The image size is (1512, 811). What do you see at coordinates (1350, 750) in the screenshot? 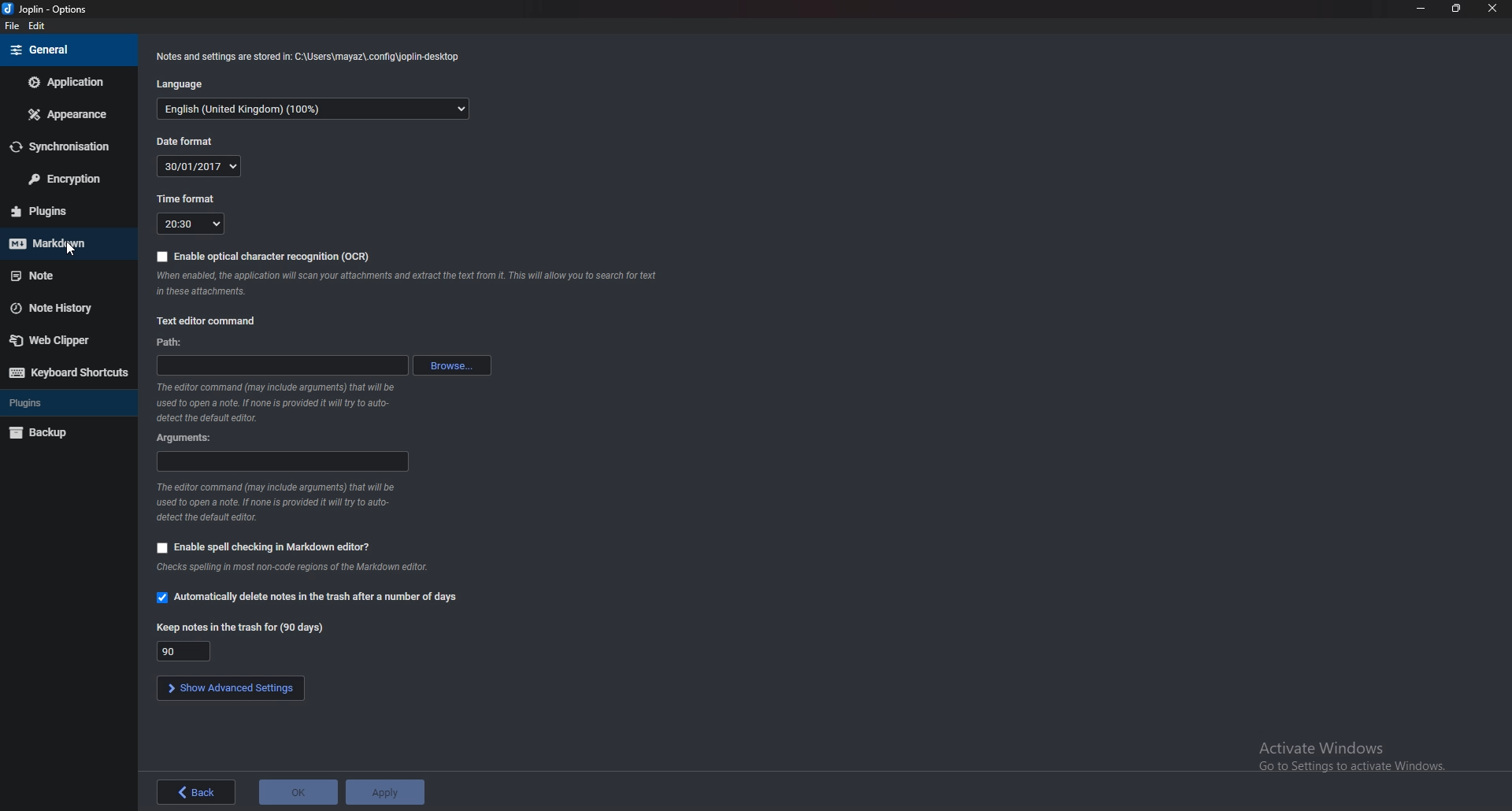
I see `activate windows message` at bounding box center [1350, 750].